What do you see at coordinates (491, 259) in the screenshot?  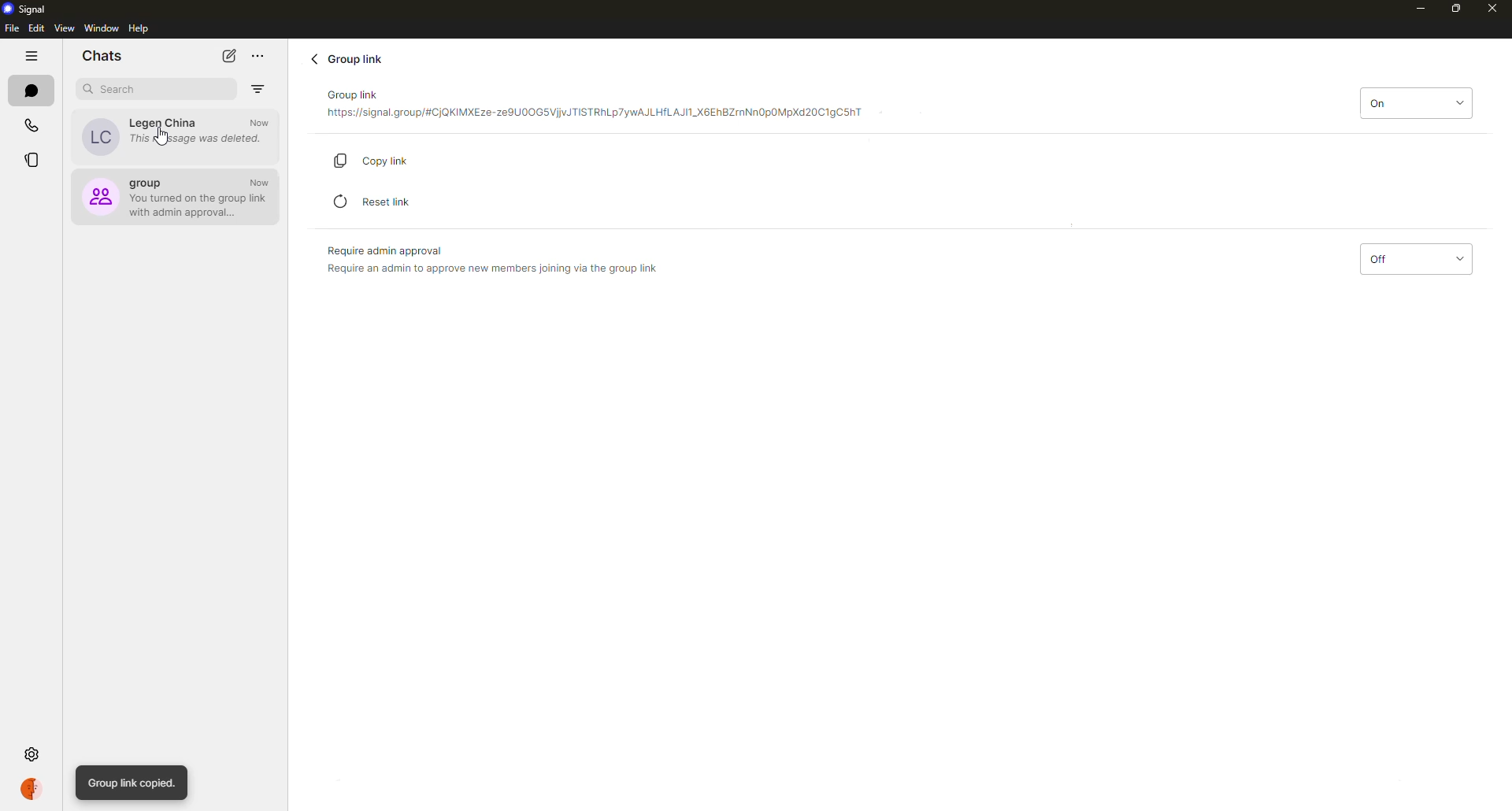 I see `require admin approval` at bounding box center [491, 259].